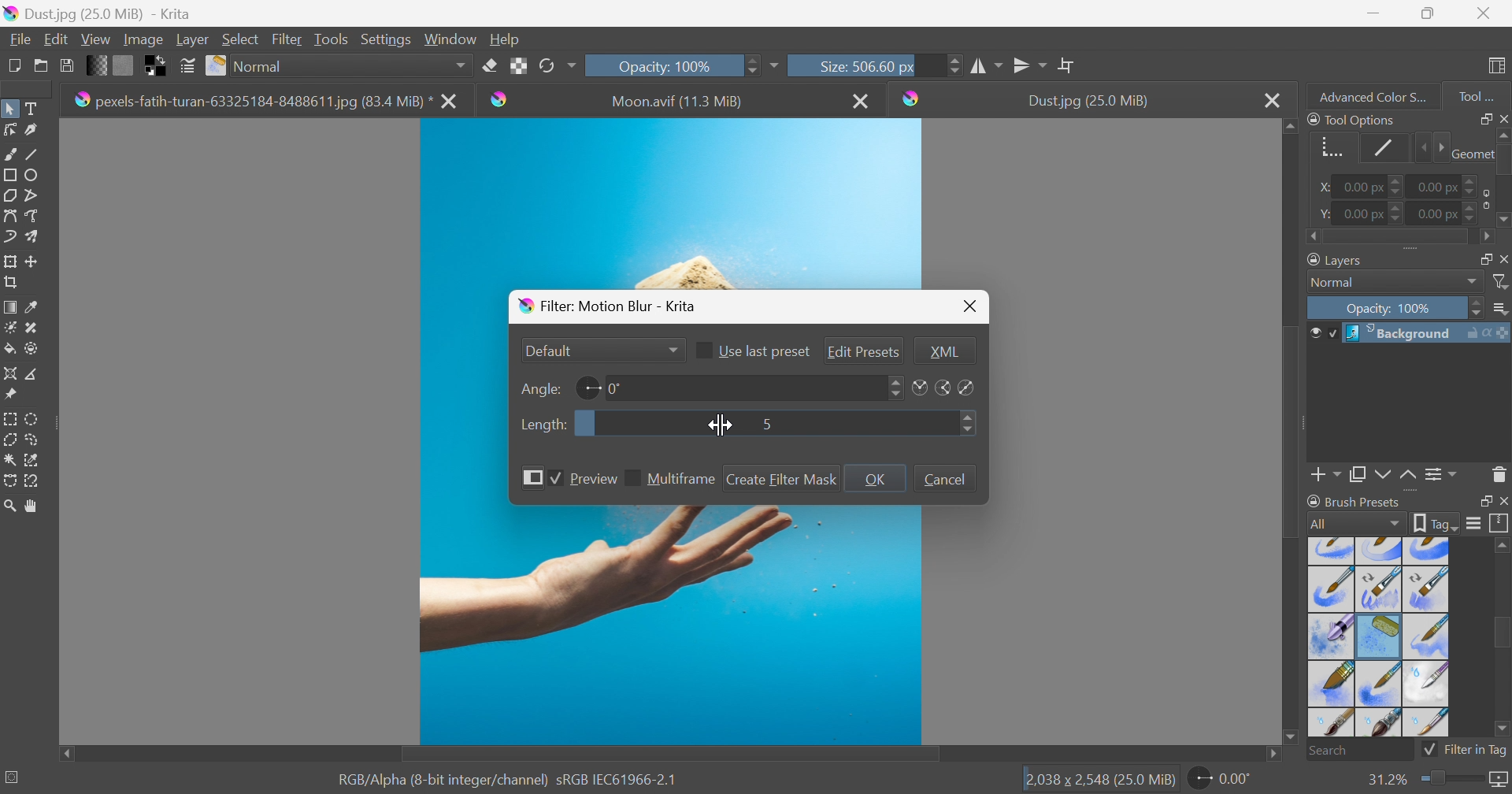 The image size is (1512, 794). I want to click on Choose brush preset, so click(217, 66).